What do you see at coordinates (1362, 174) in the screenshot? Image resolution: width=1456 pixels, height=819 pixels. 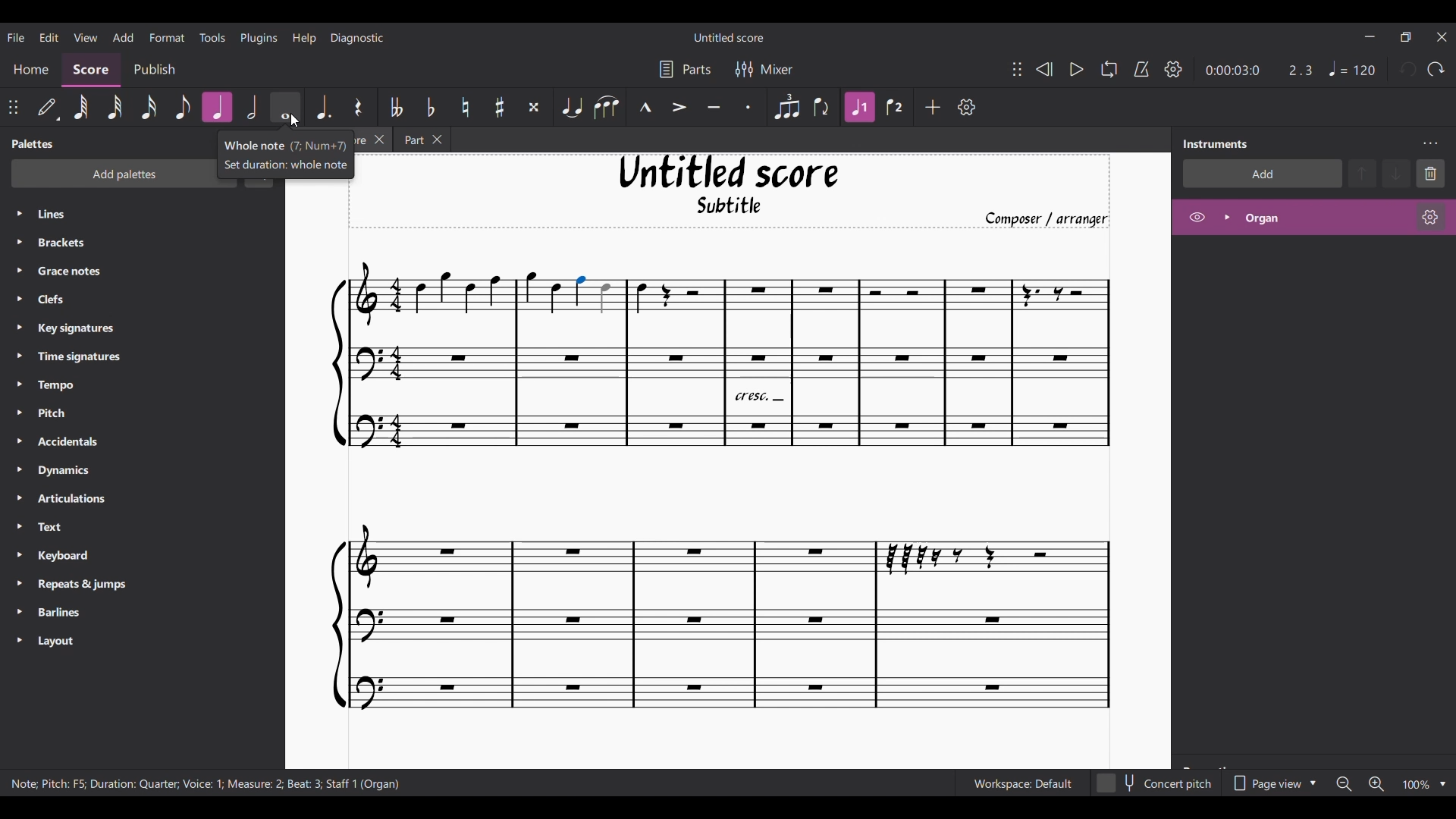 I see `Move selection up` at bounding box center [1362, 174].